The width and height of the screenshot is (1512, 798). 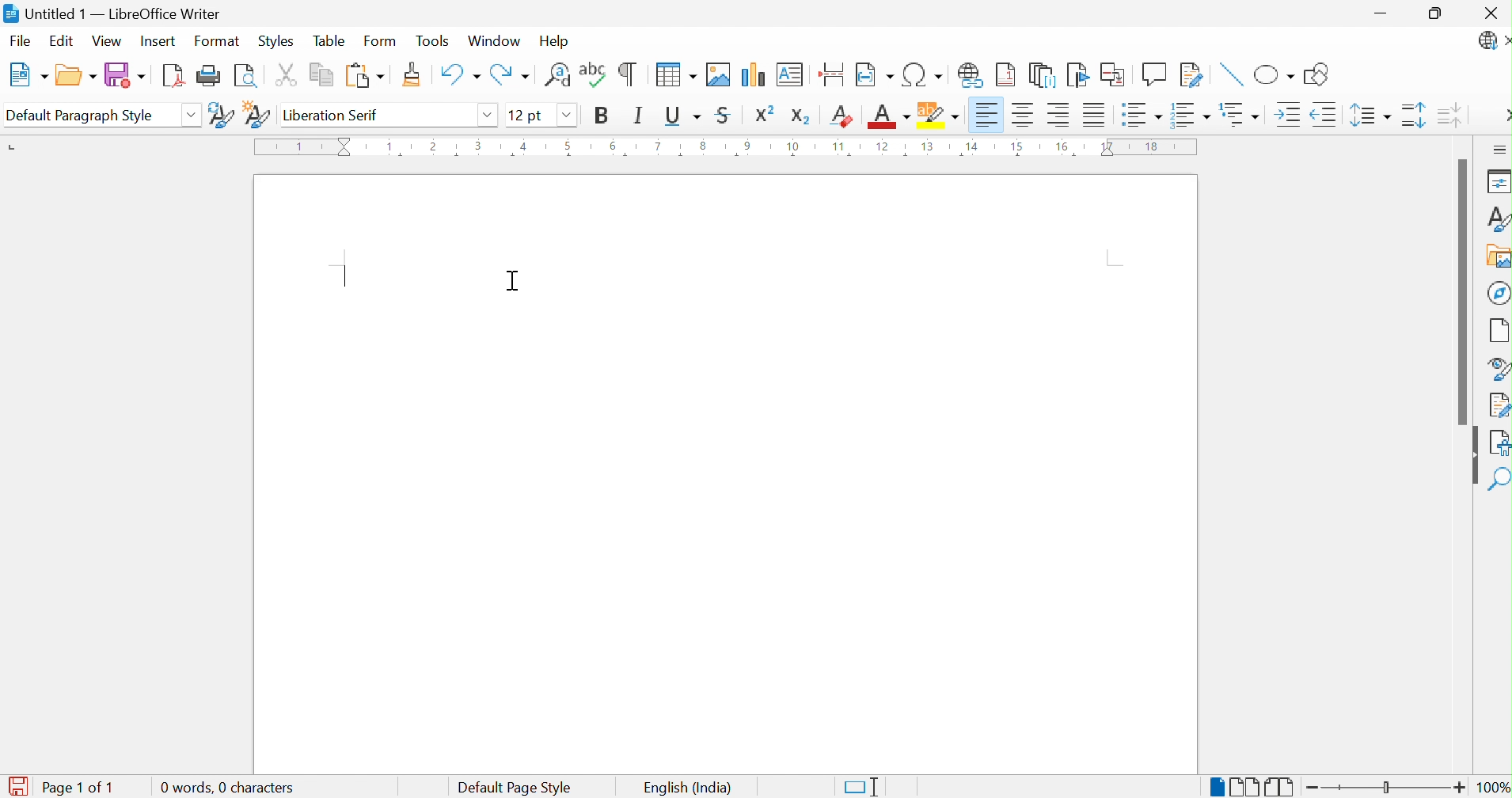 What do you see at coordinates (1488, 12) in the screenshot?
I see `Close` at bounding box center [1488, 12].